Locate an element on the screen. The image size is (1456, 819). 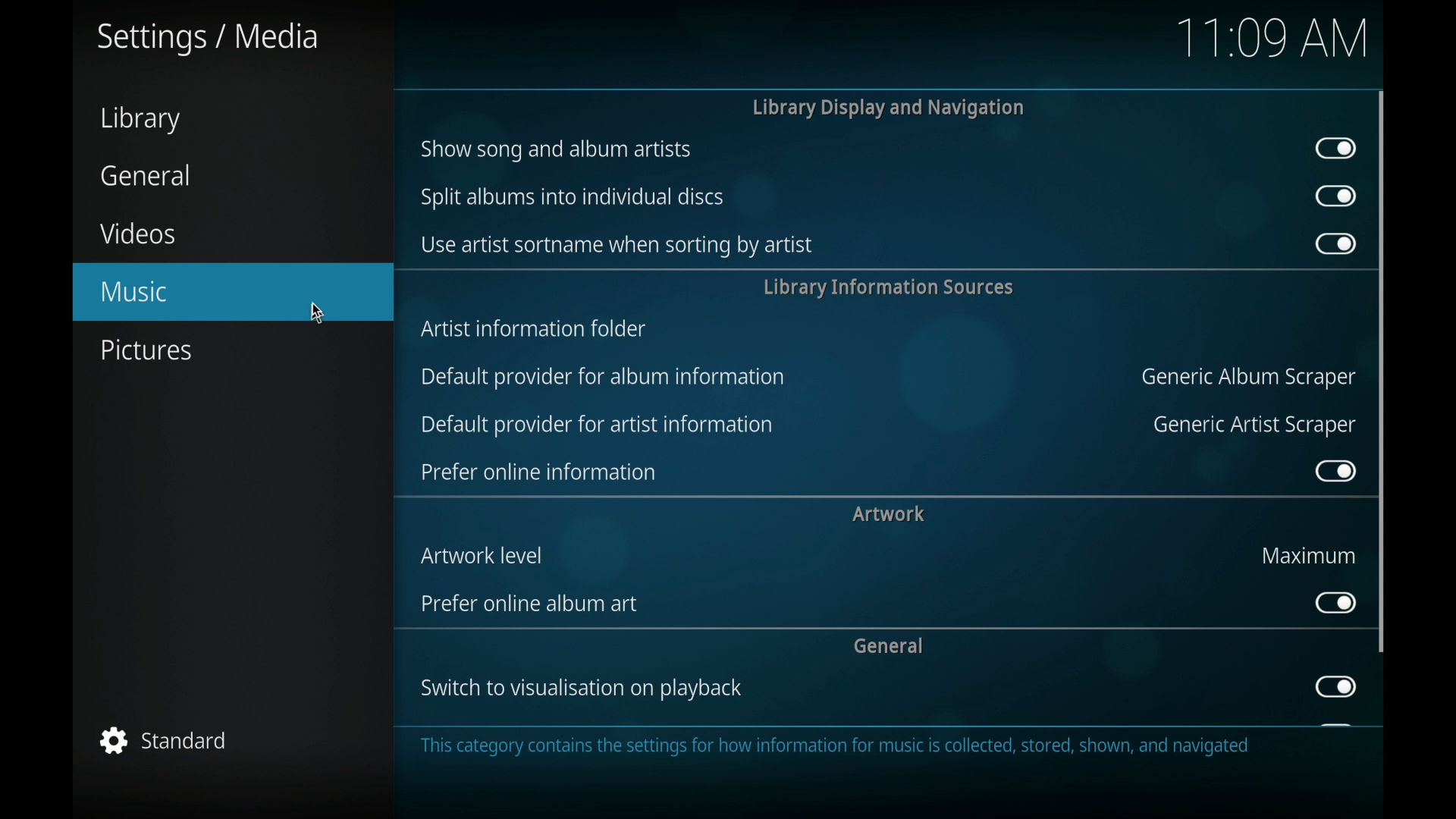
artists information folder is located at coordinates (535, 330).